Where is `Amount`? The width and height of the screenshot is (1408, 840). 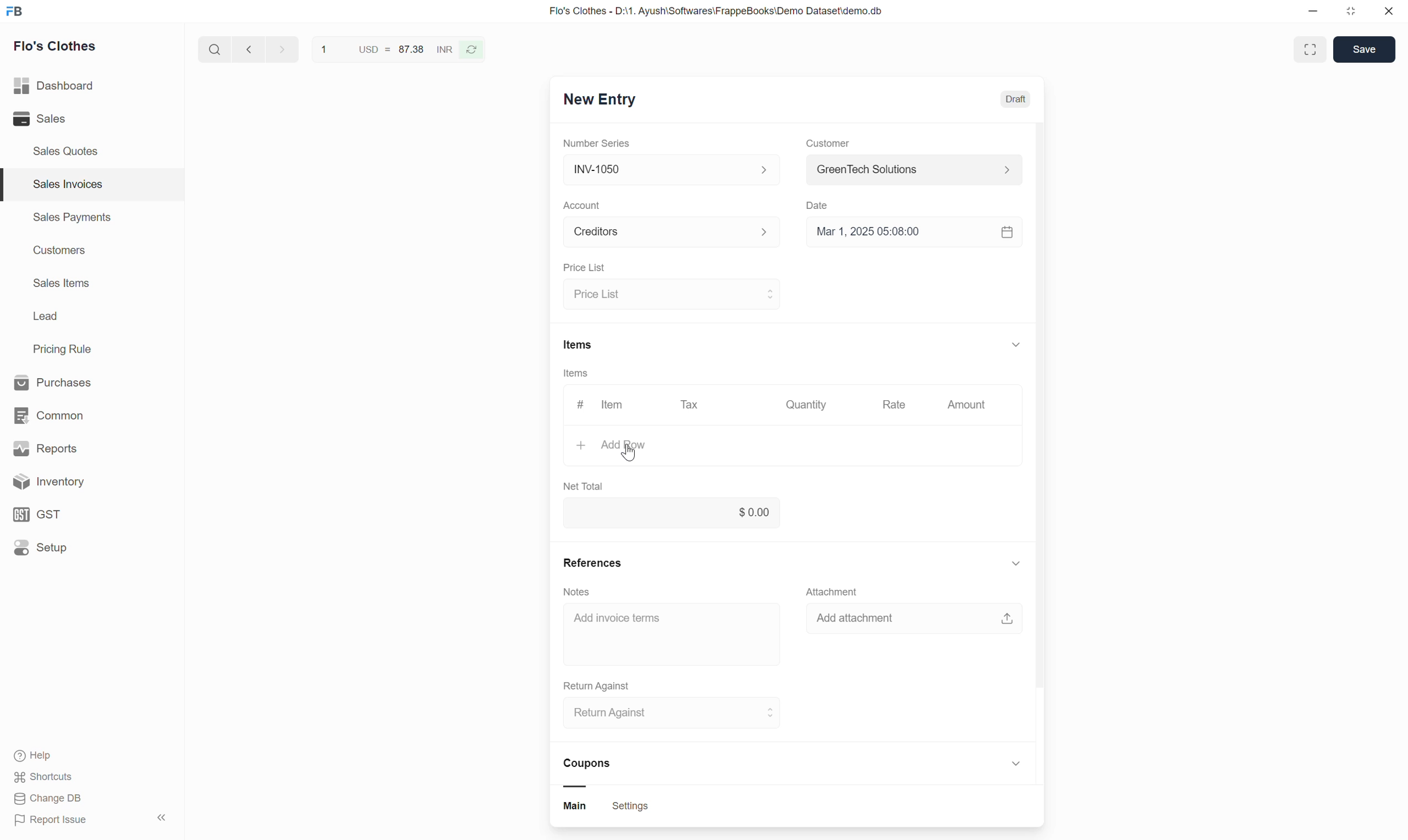
Amount is located at coordinates (966, 405).